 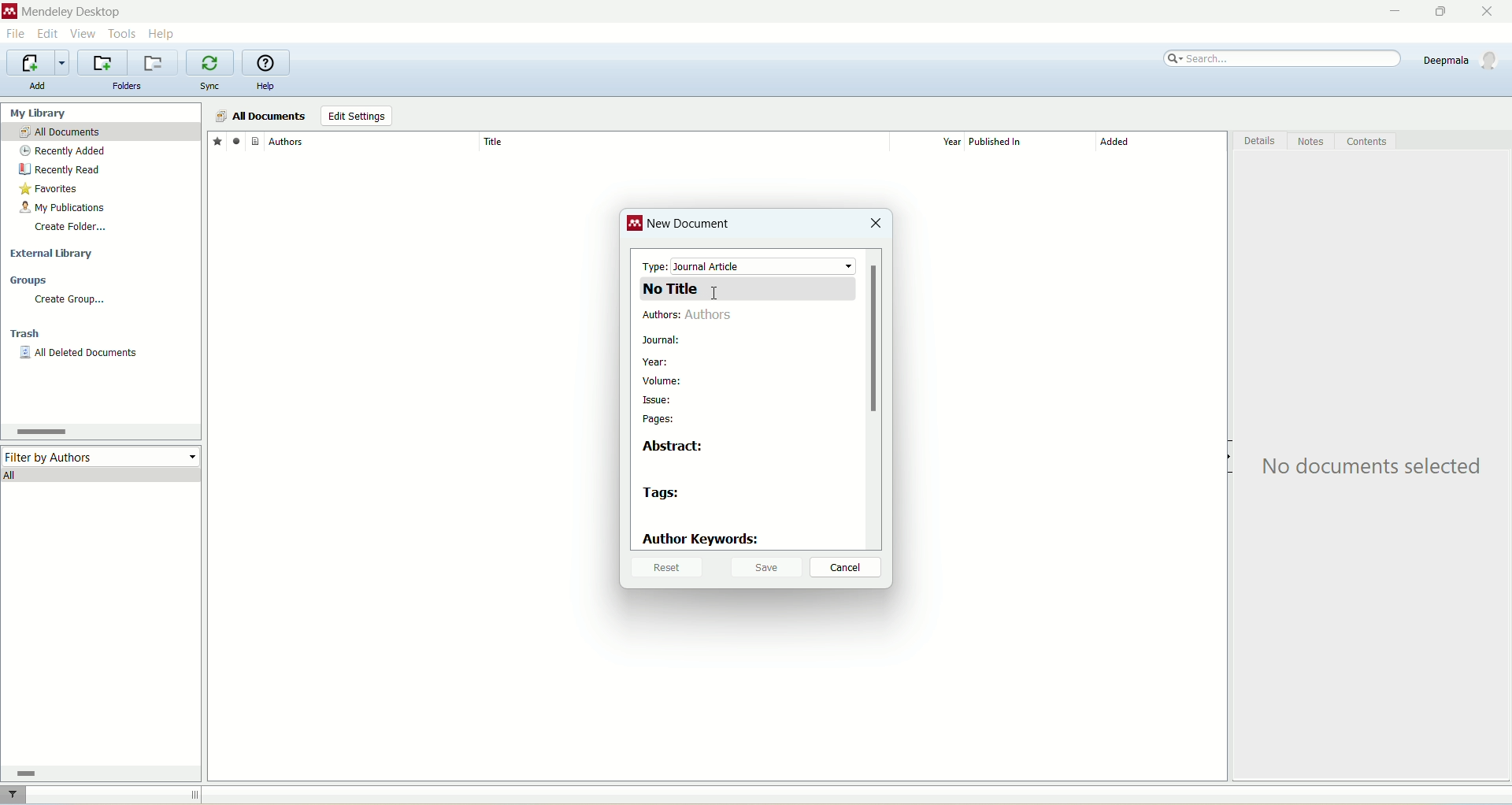 I want to click on title, so click(x=748, y=288).